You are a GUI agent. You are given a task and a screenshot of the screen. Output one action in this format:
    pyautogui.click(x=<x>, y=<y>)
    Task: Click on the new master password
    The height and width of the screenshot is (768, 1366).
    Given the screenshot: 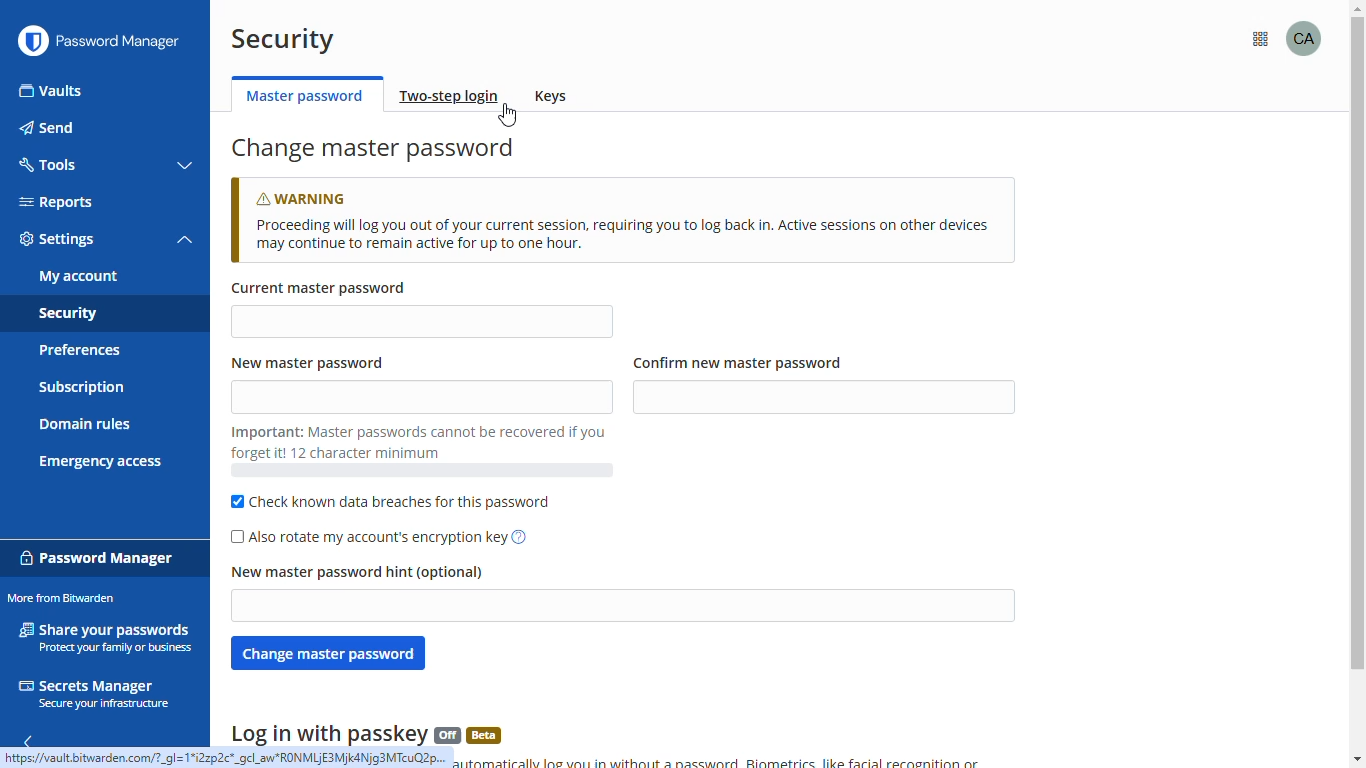 What is the action you would take?
    pyautogui.click(x=422, y=386)
    